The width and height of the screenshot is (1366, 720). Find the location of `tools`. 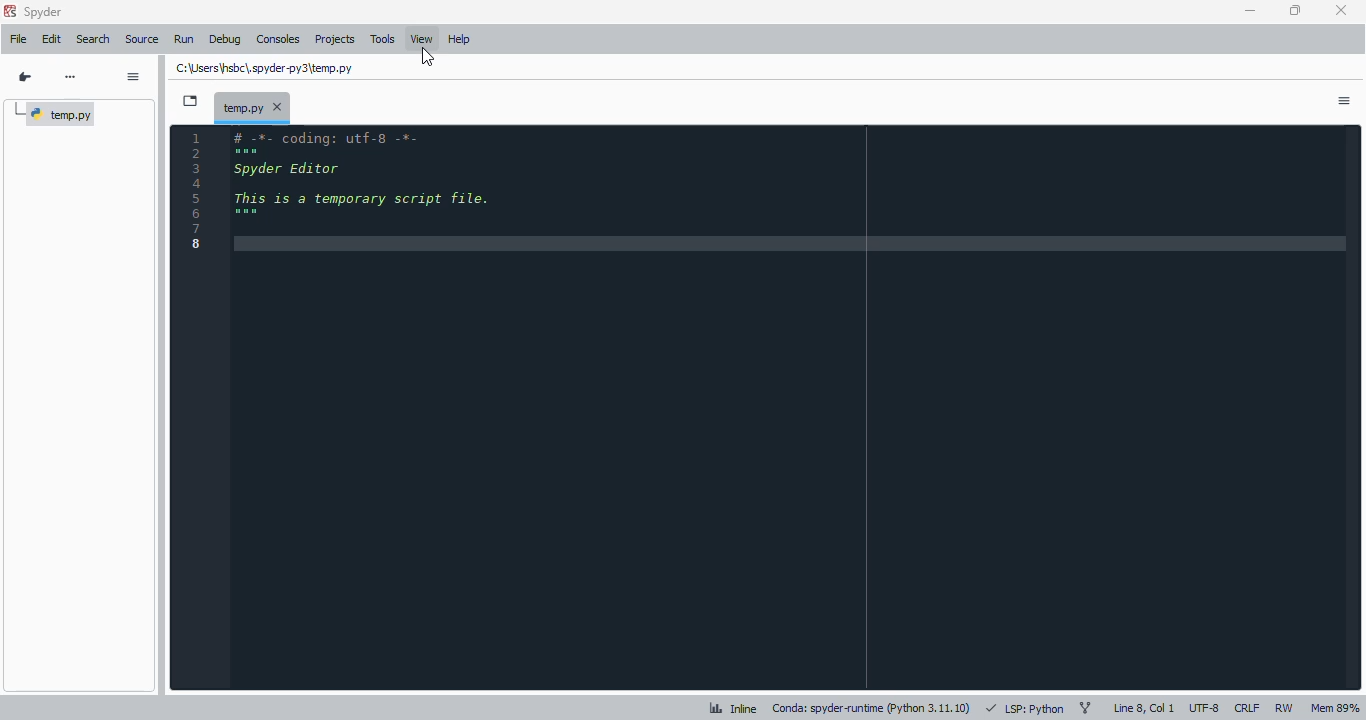

tools is located at coordinates (383, 39).